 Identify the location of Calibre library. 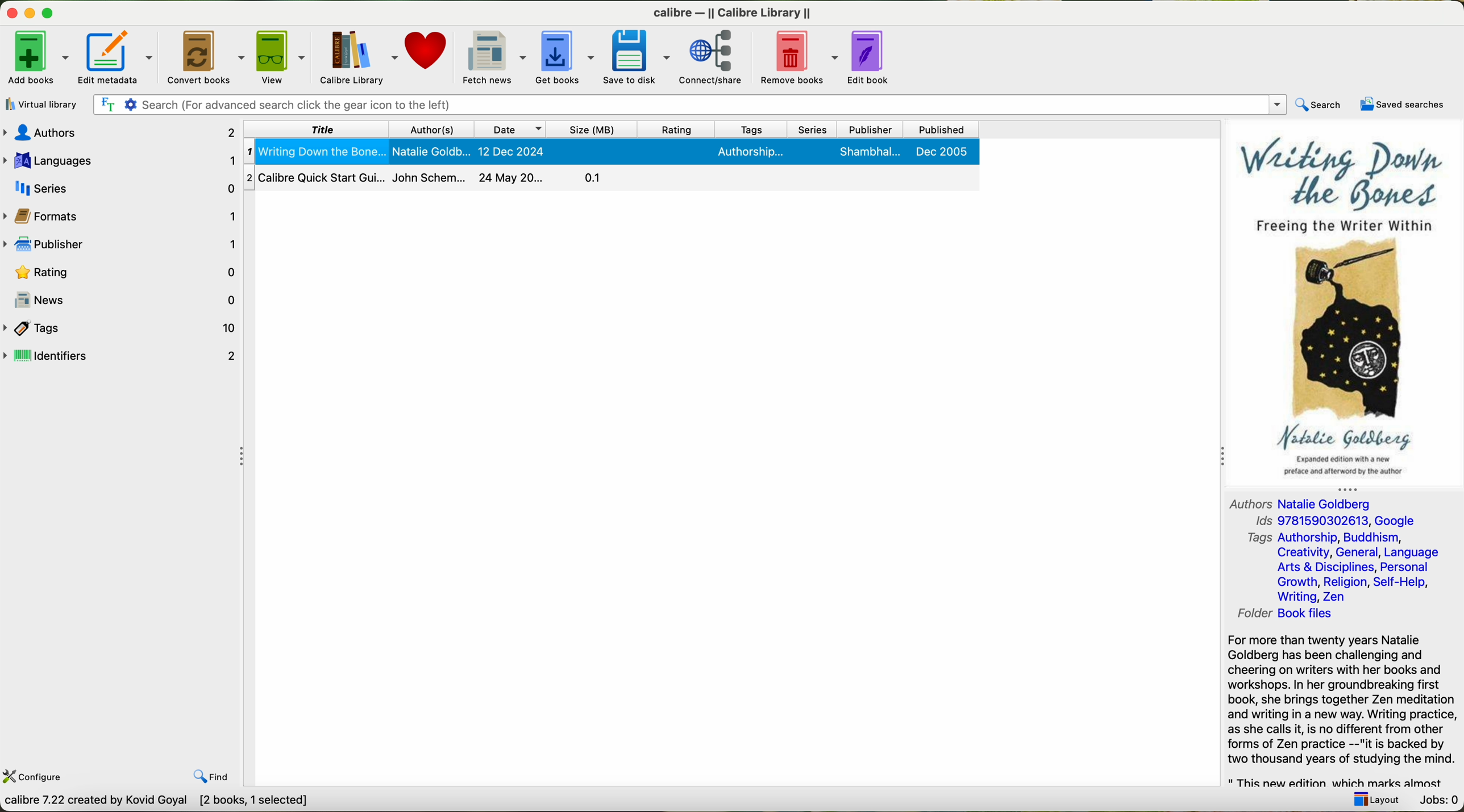
(360, 55).